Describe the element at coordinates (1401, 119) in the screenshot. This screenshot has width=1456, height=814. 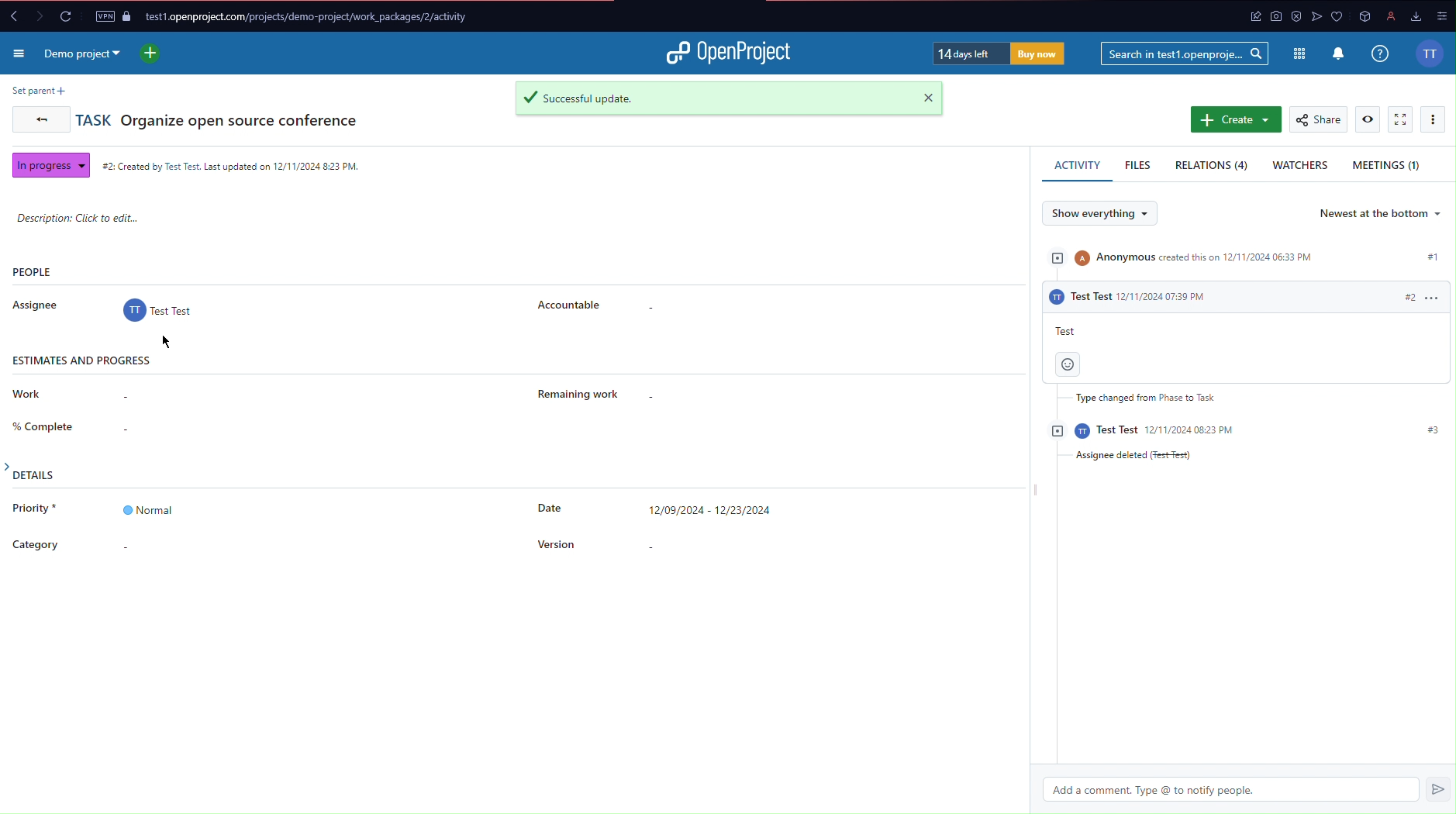
I see `Fullscreen` at that location.